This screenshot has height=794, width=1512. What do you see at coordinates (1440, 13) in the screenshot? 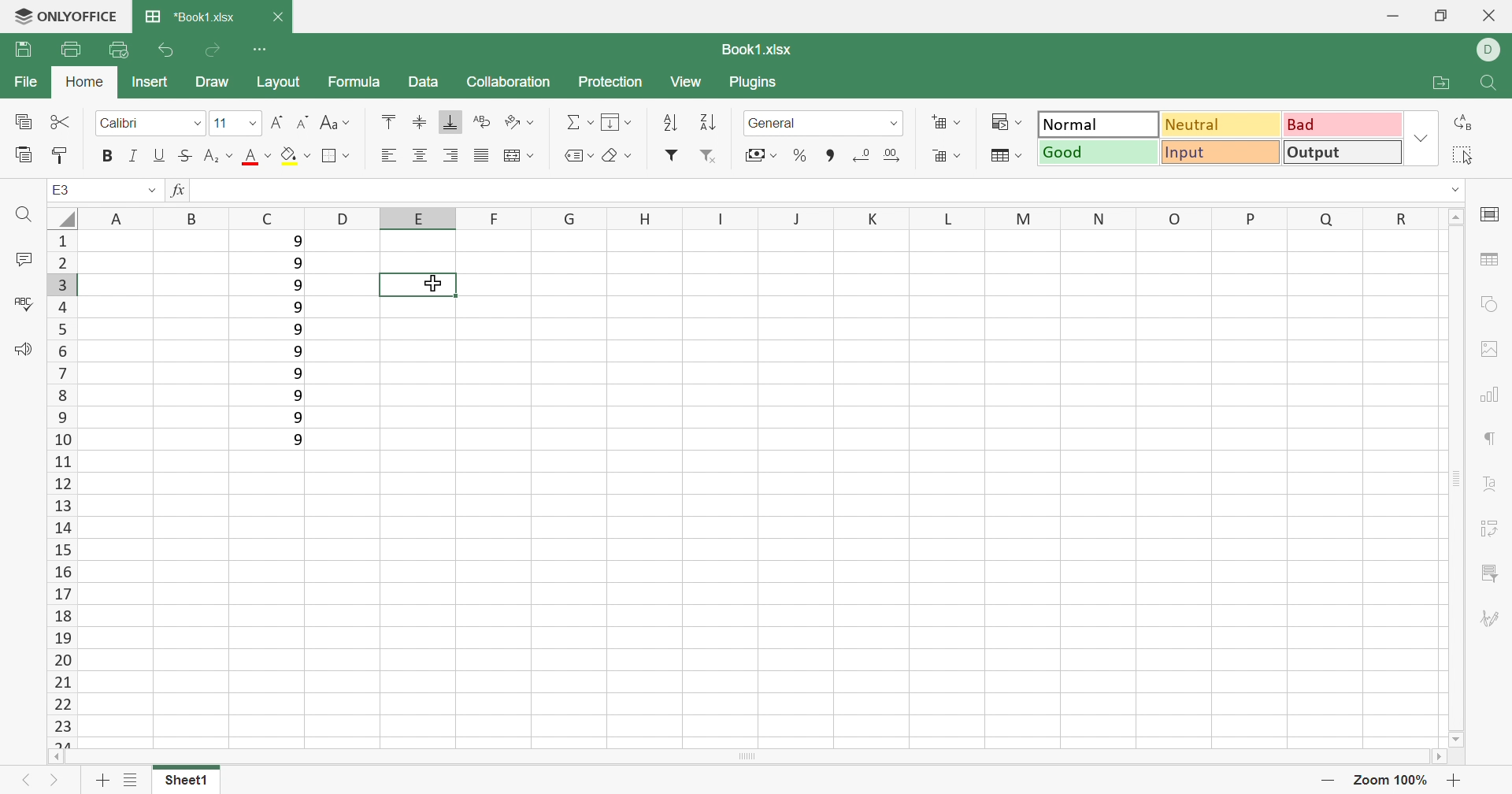
I see `Restore Down` at bounding box center [1440, 13].